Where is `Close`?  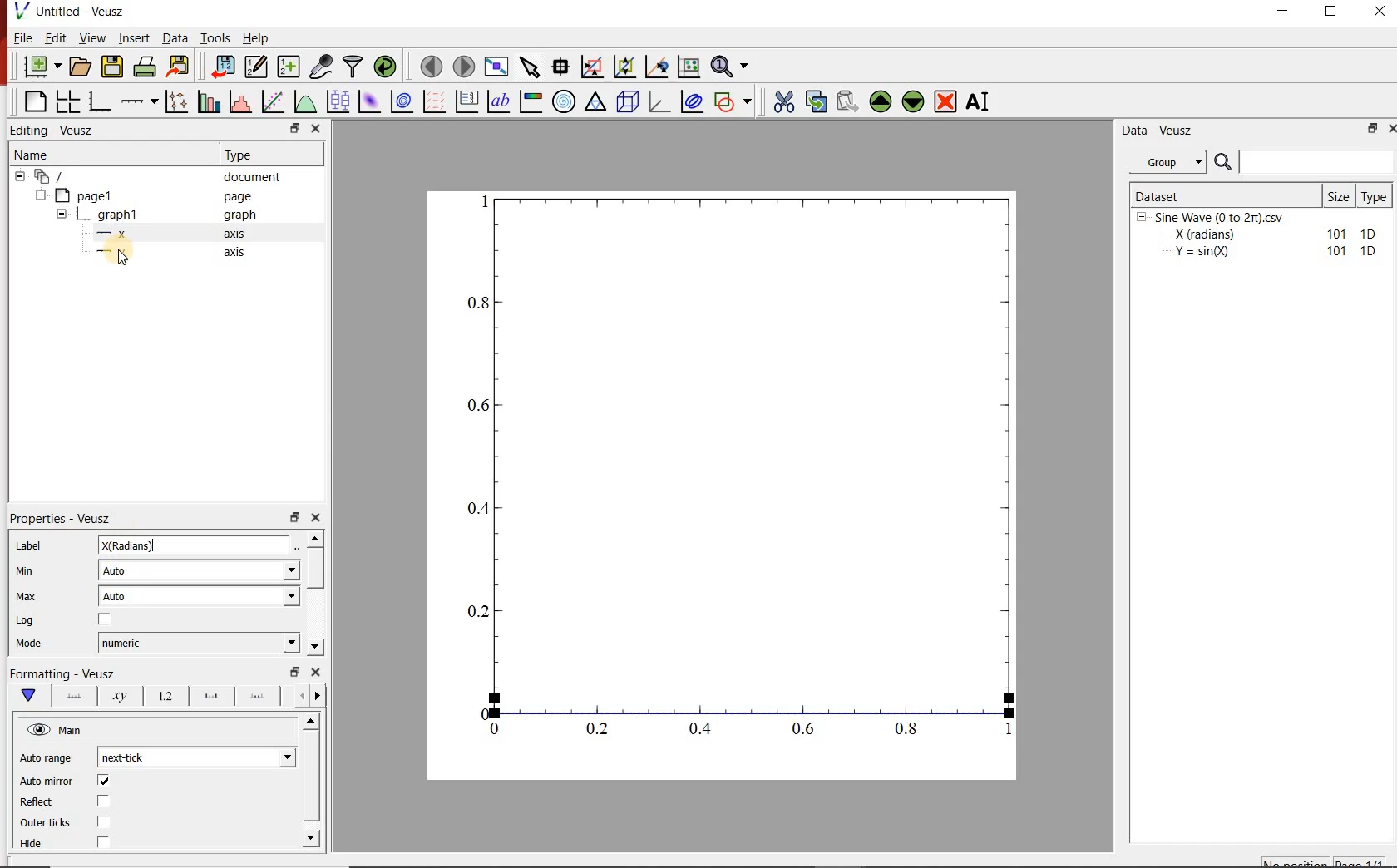 Close is located at coordinates (316, 130).